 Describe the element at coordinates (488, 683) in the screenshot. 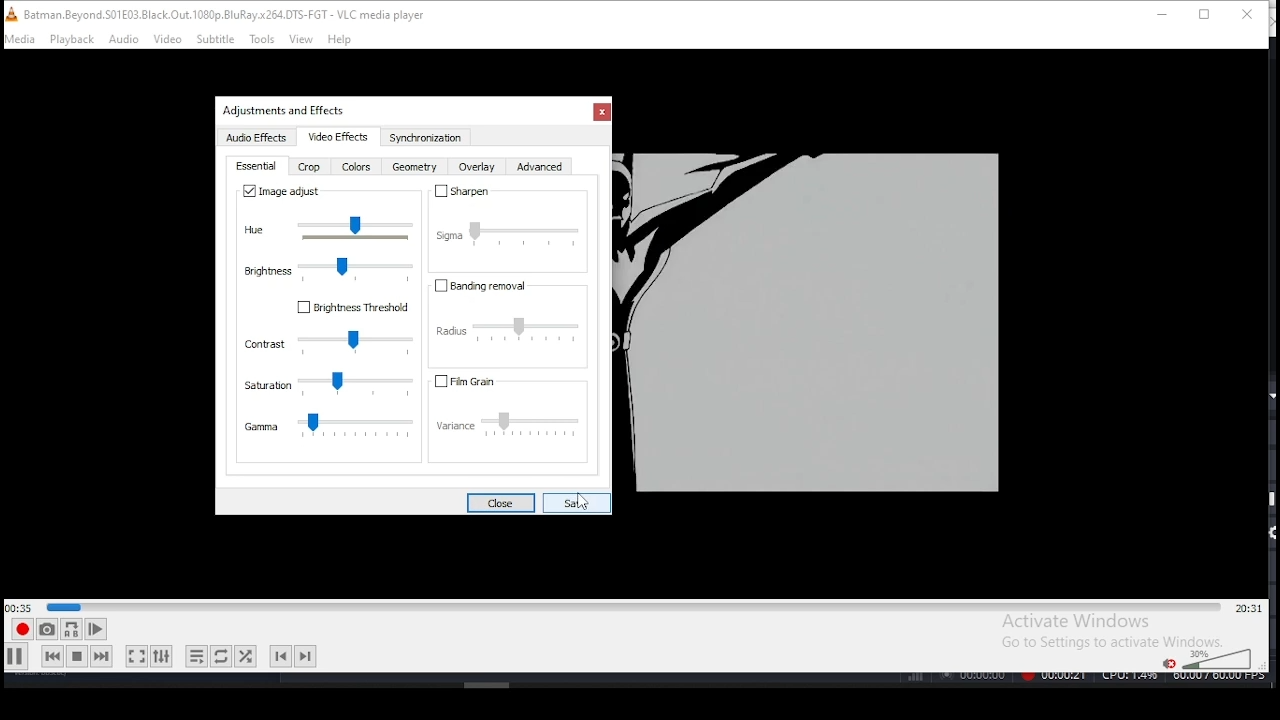

I see `` at that location.